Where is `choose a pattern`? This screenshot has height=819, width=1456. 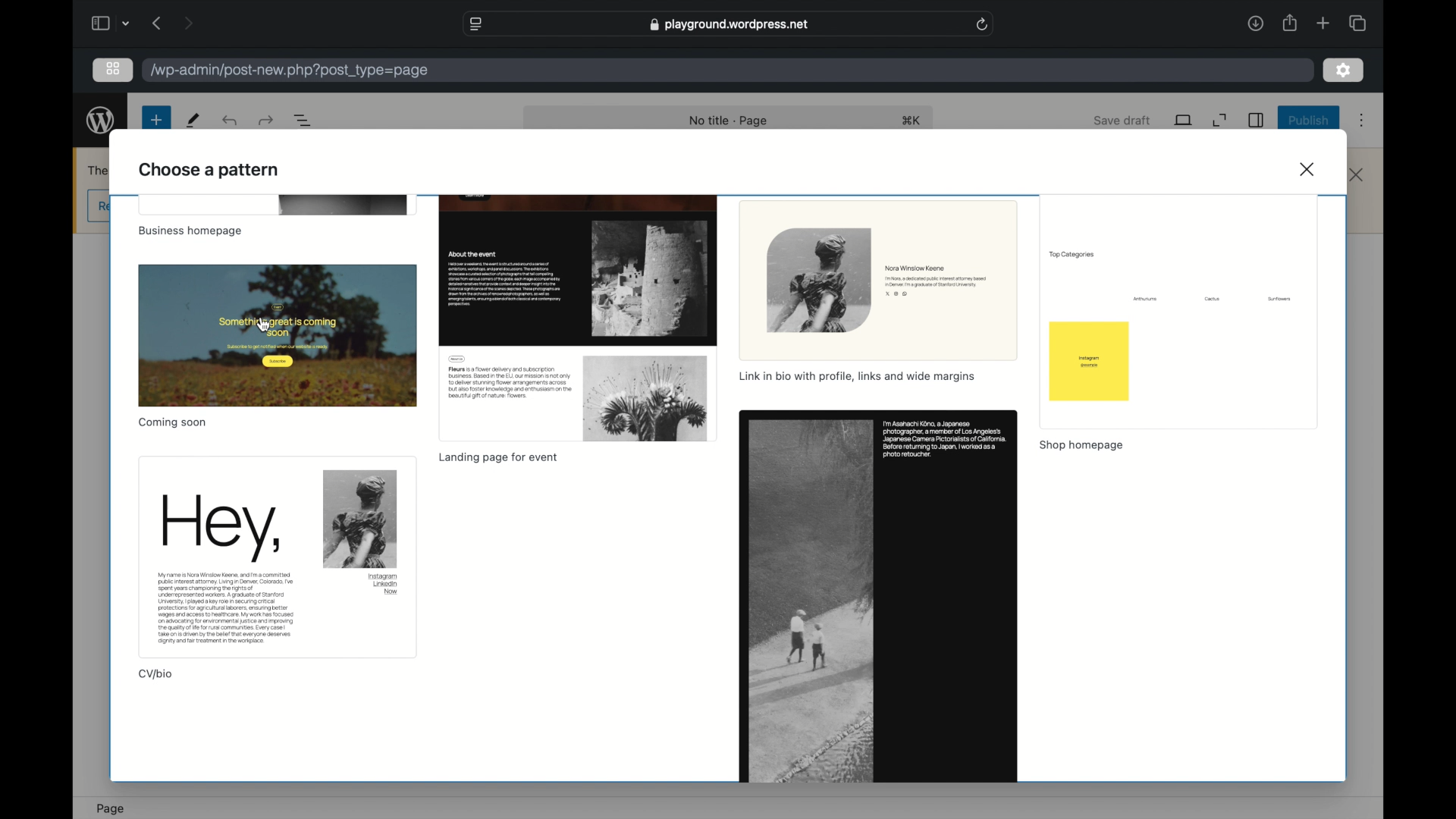 choose a pattern is located at coordinates (210, 171).